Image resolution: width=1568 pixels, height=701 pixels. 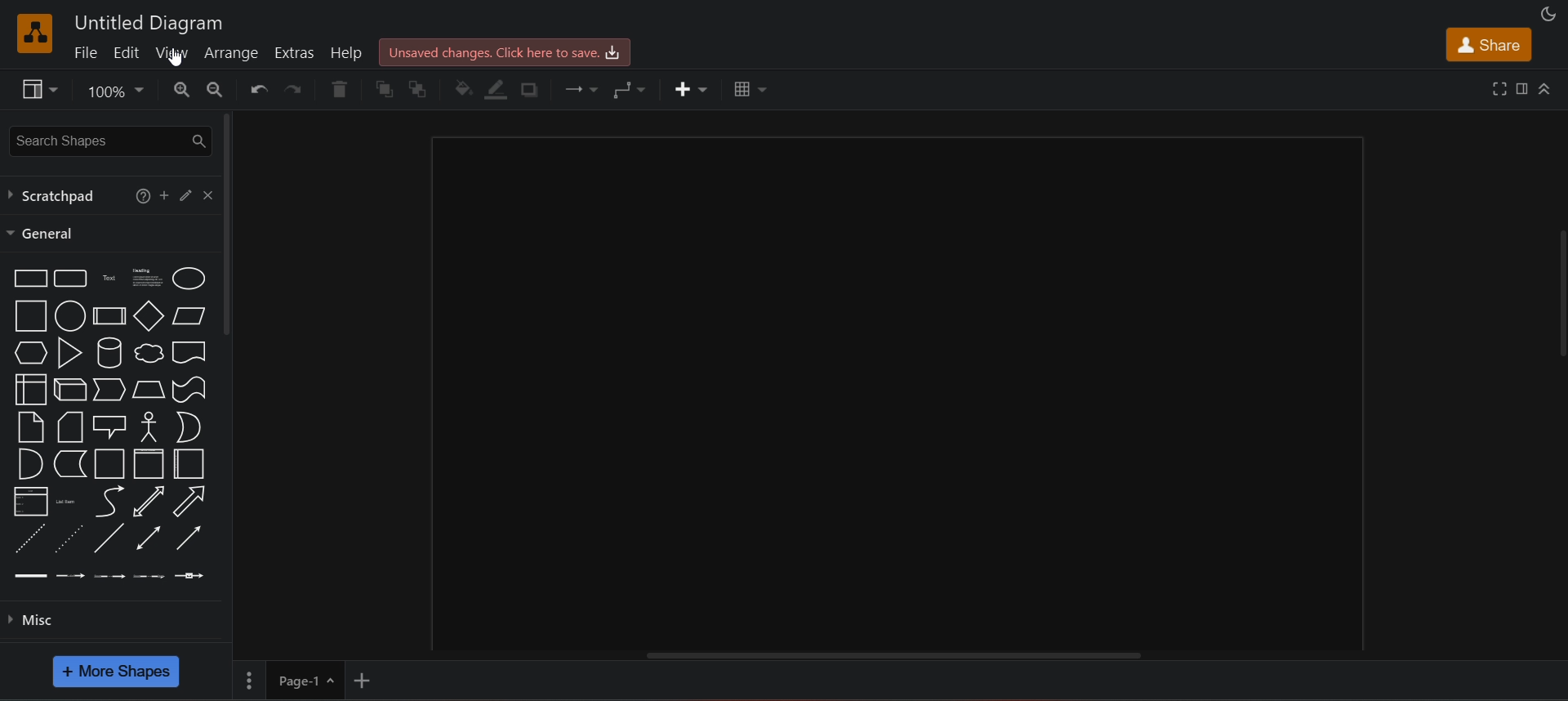 I want to click on actor, so click(x=149, y=426).